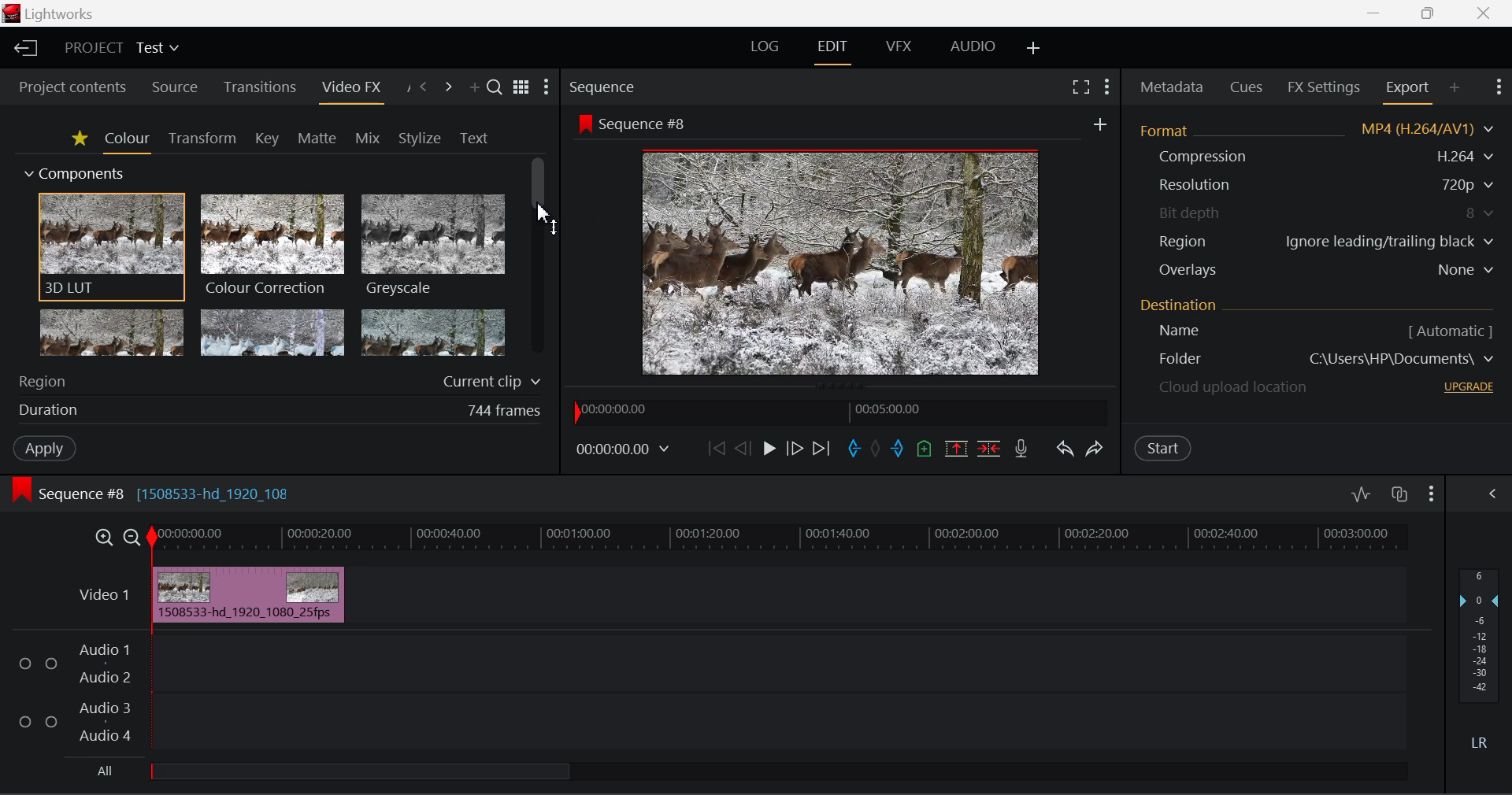 The width and height of the screenshot is (1512, 795). What do you see at coordinates (102, 733) in the screenshot?
I see `Audio 4` at bounding box center [102, 733].